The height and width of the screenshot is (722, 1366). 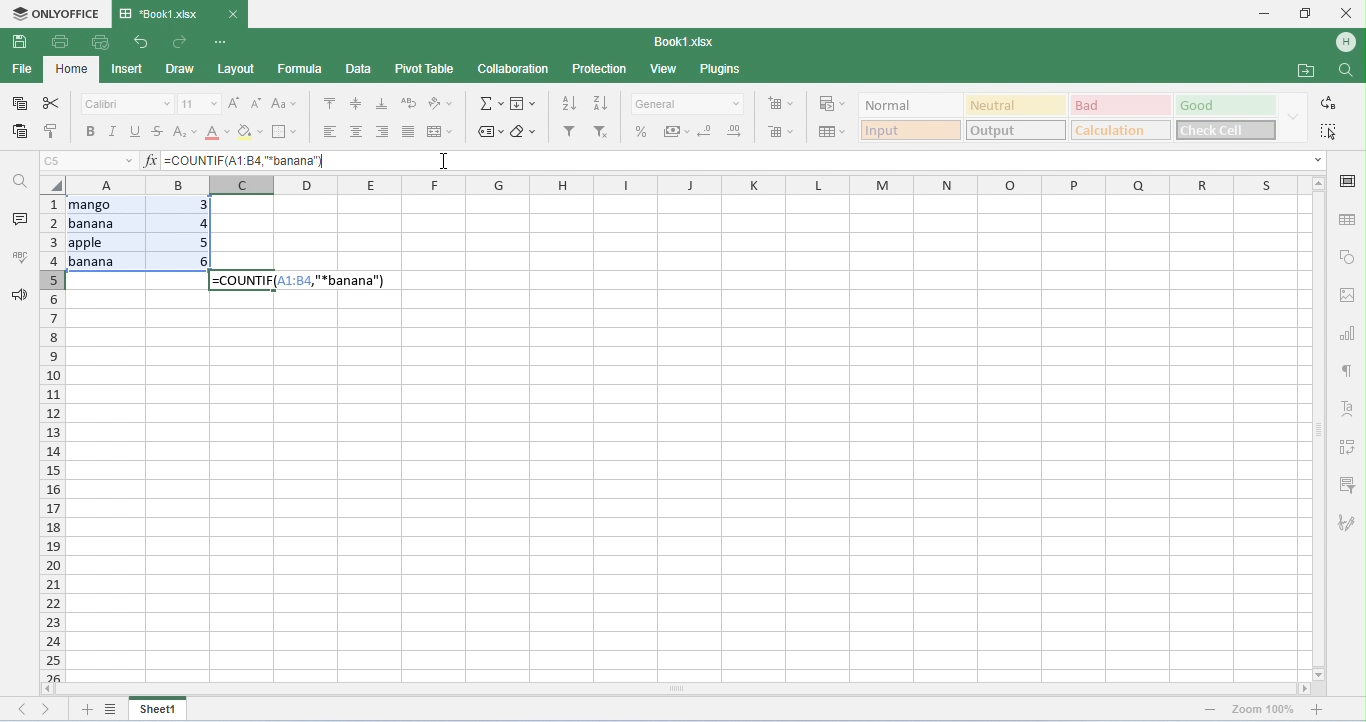 What do you see at coordinates (193, 204) in the screenshot?
I see `3` at bounding box center [193, 204].